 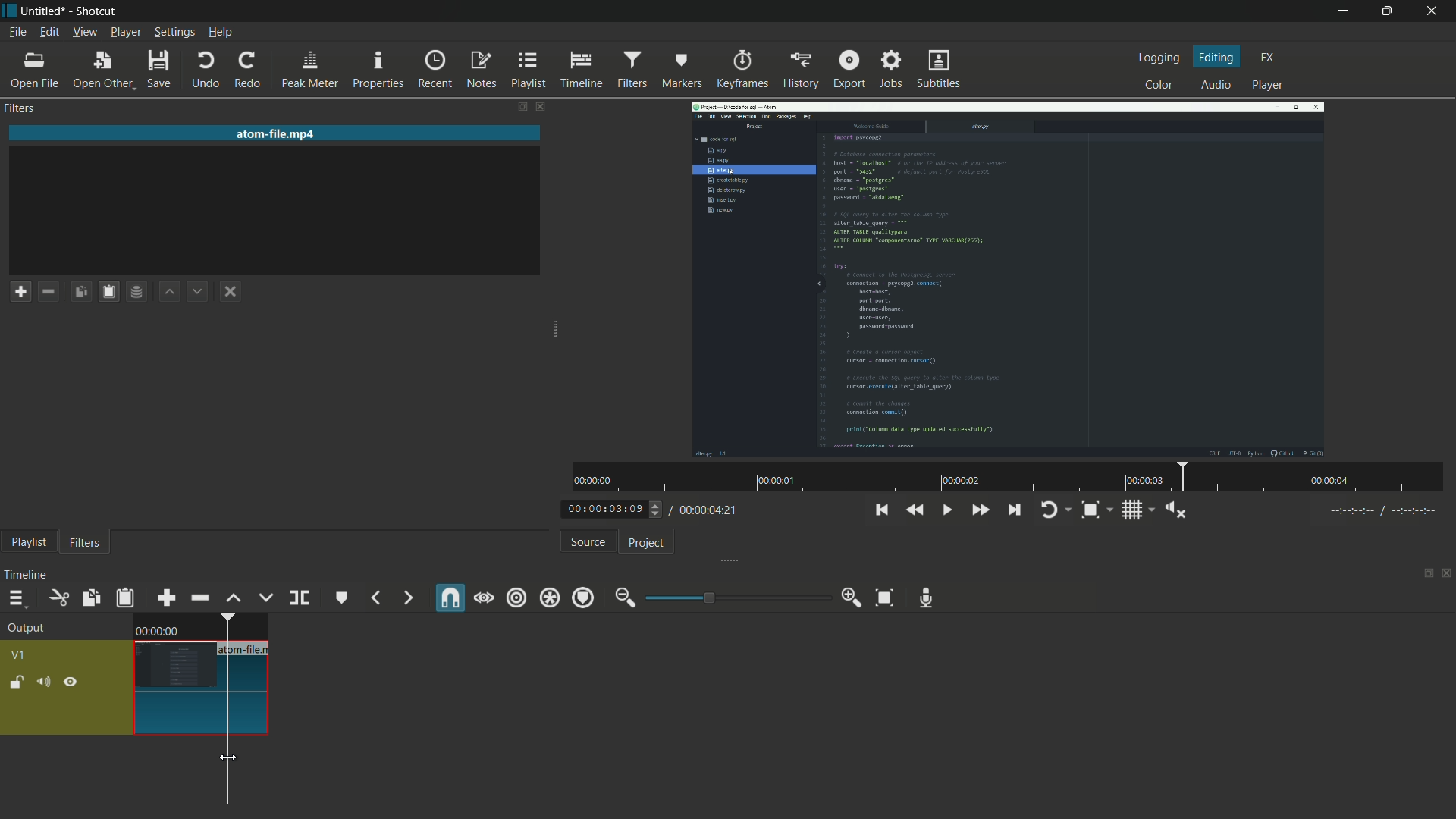 I want to click on skip to the previous point, so click(x=886, y=510).